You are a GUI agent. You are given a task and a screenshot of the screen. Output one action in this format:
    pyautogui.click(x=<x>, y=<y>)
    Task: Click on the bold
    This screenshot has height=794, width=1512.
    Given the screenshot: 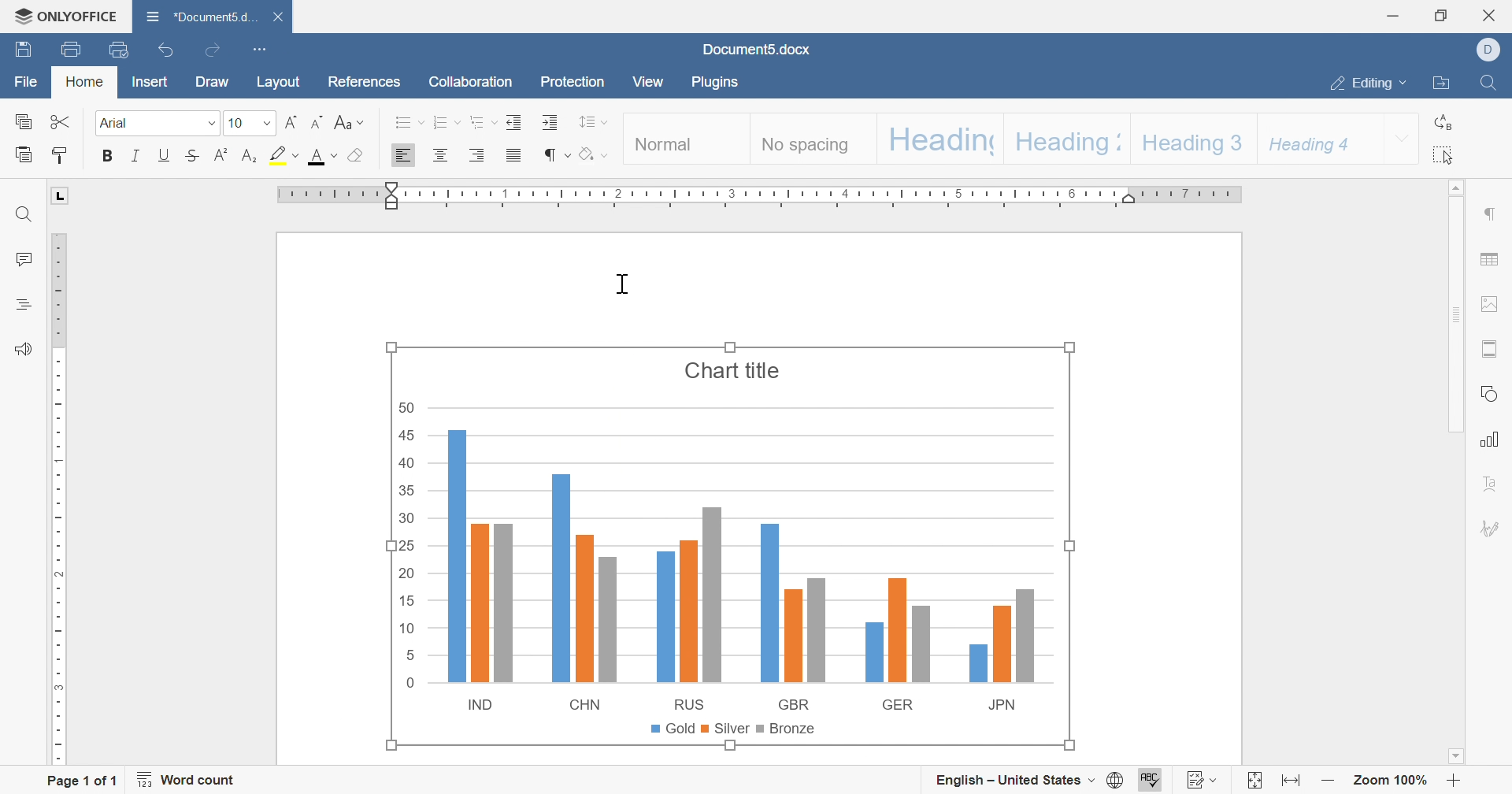 What is the action you would take?
    pyautogui.click(x=109, y=155)
    